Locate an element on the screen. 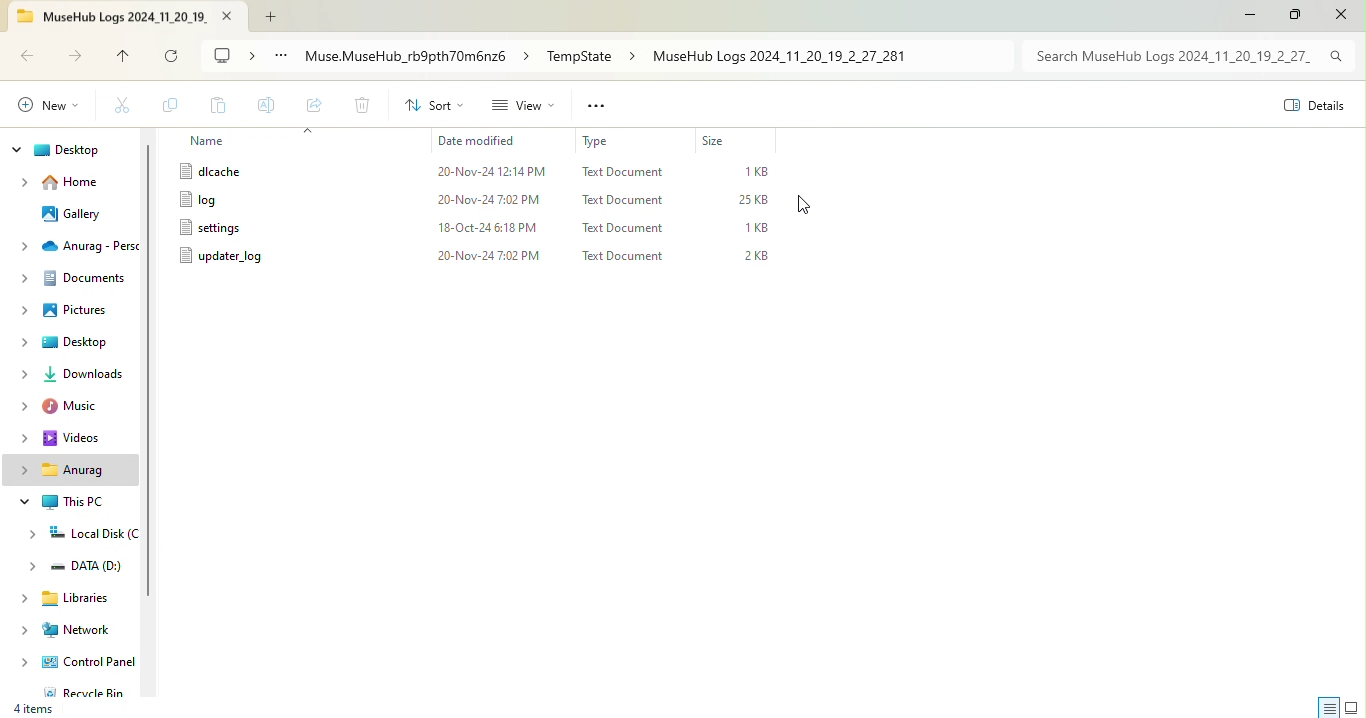  Gallery is located at coordinates (69, 217).